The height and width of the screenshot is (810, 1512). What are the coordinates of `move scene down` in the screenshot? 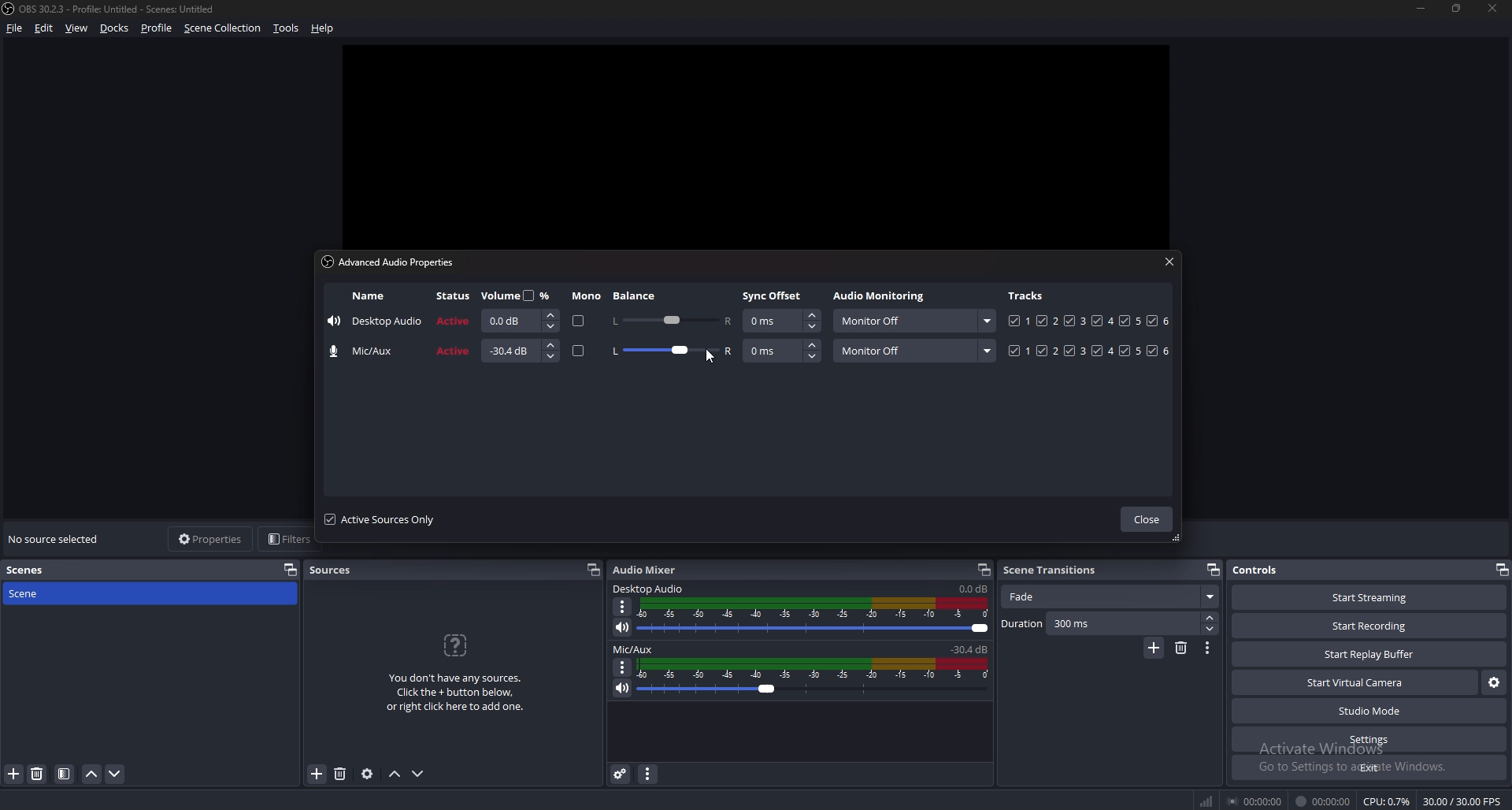 It's located at (117, 775).